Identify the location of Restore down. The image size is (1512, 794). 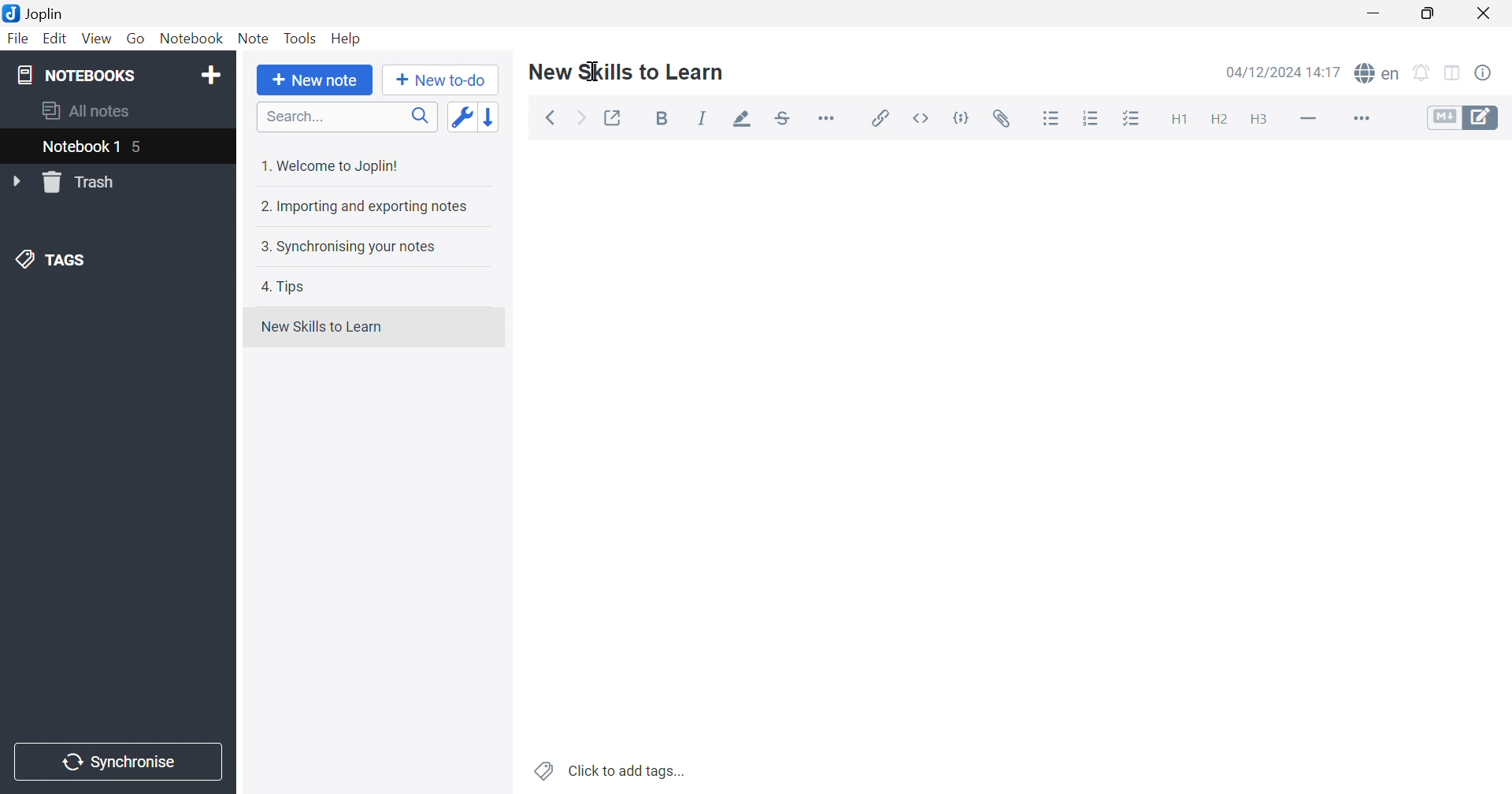
(1427, 13).